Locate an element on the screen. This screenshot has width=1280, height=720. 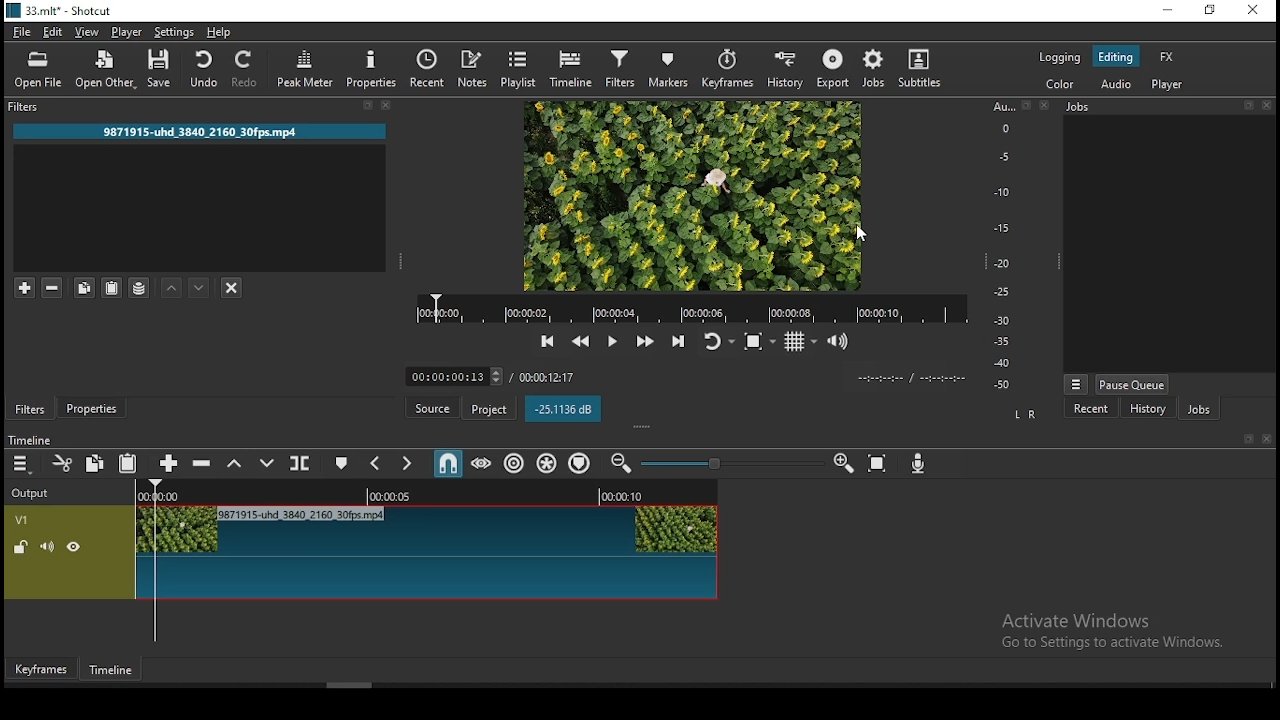
deselct filter is located at coordinates (231, 289).